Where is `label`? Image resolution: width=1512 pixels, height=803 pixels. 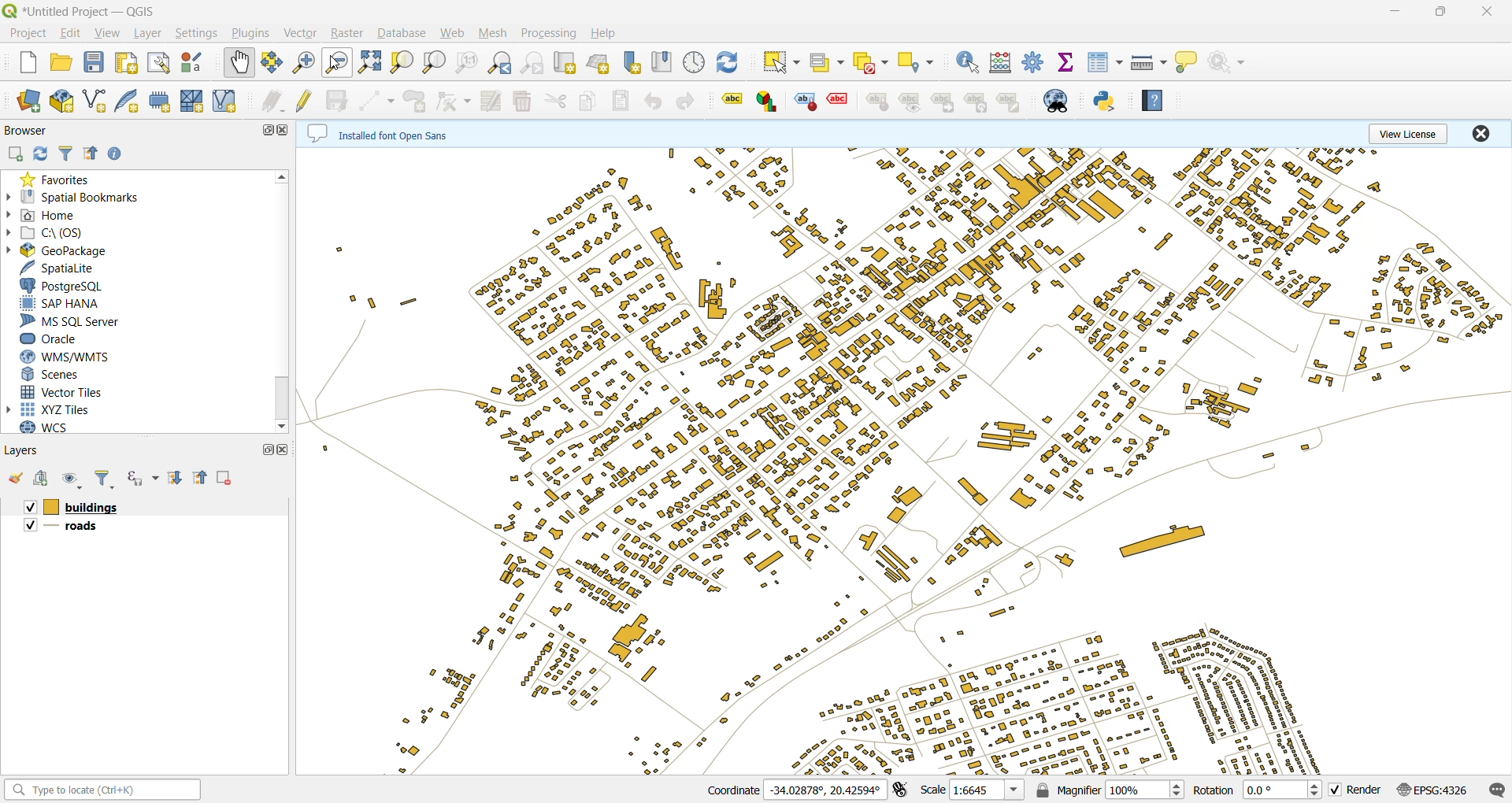 label is located at coordinates (976, 103).